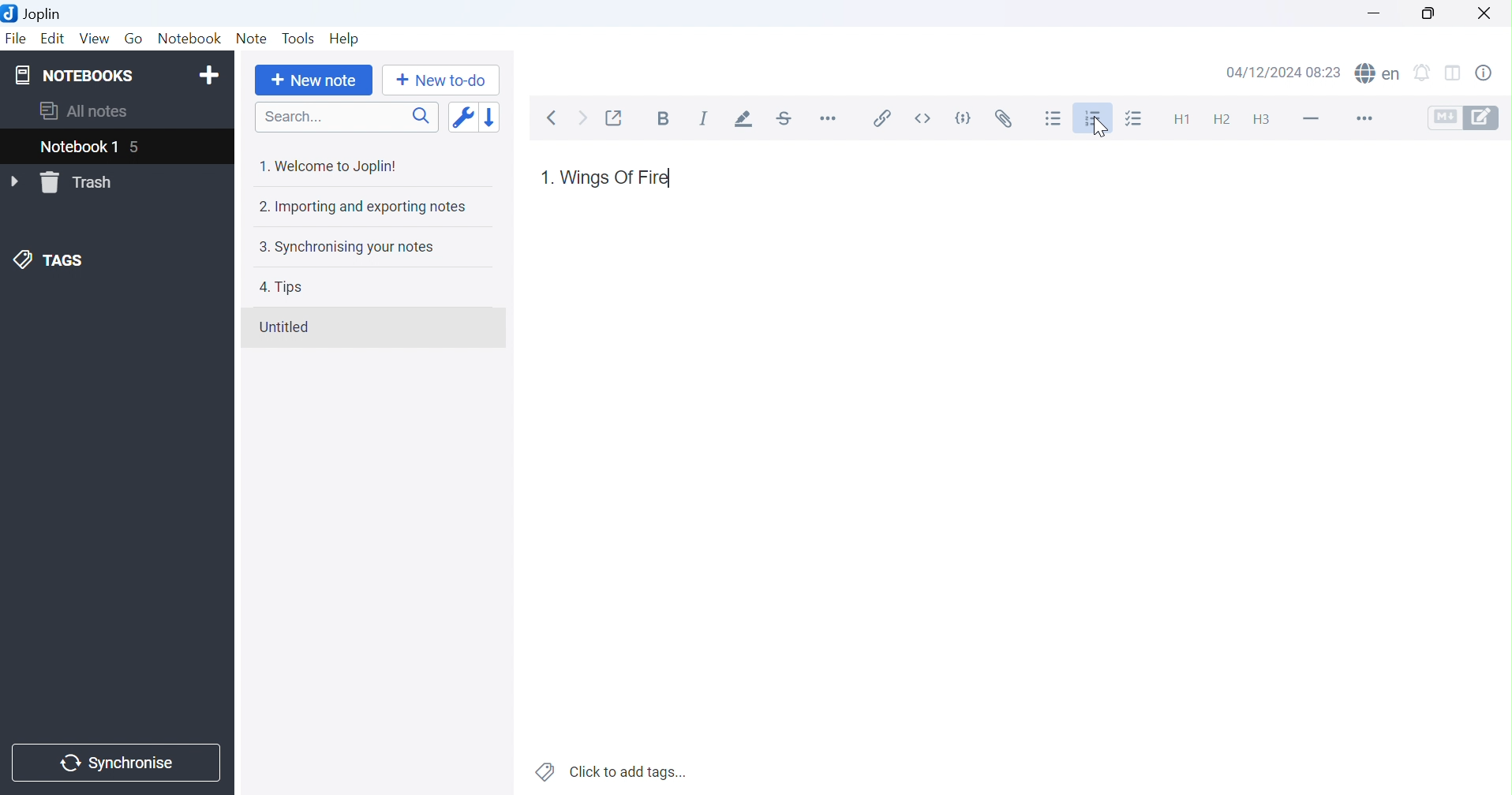  What do you see at coordinates (829, 121) in the screenshot?
I see `Horizontal` at bounding box center [829, 121].